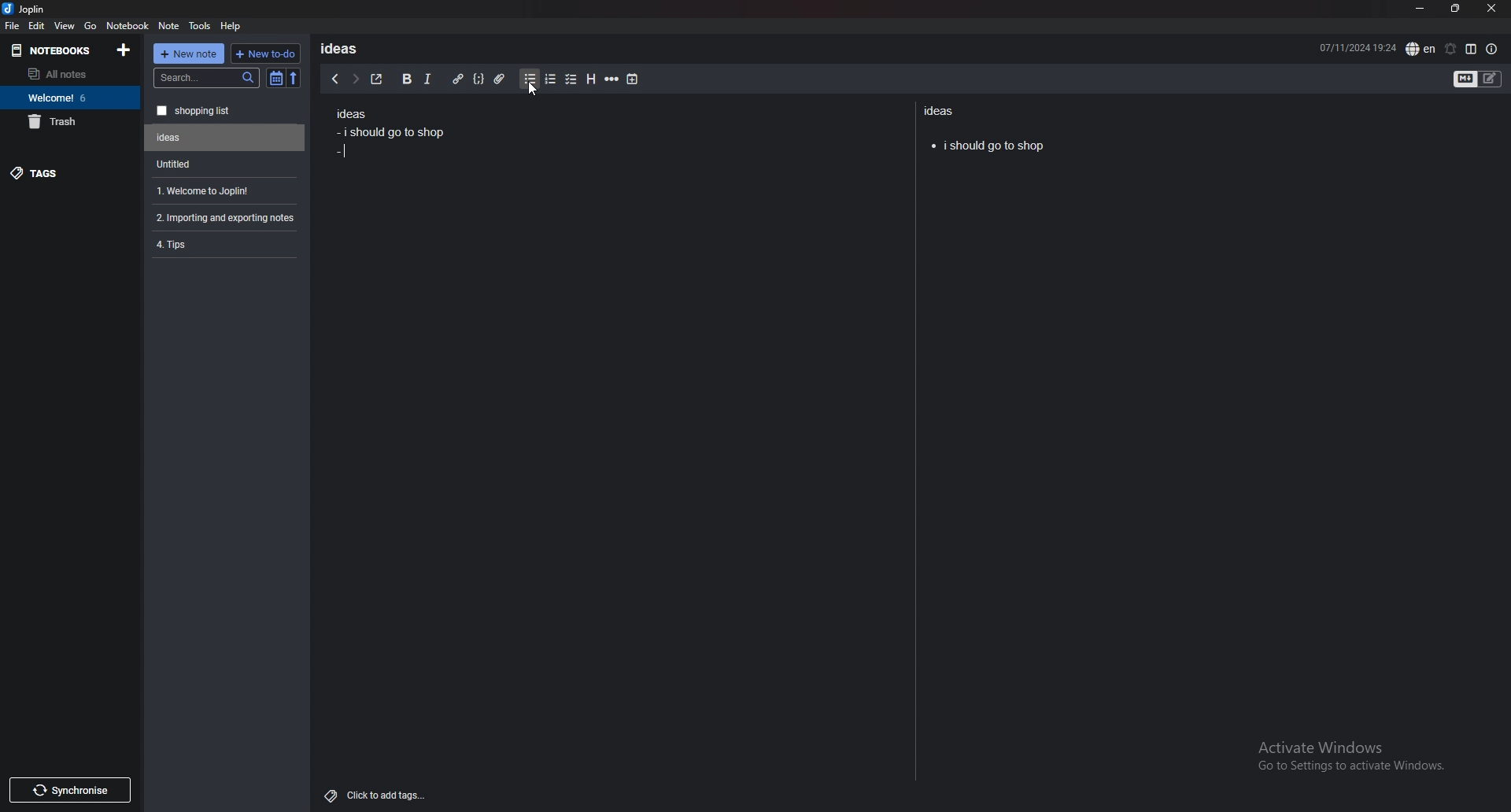  What do you see at coordinates (169, 26) in the screenshot?
I see `note` at bounding box center [169, 26].